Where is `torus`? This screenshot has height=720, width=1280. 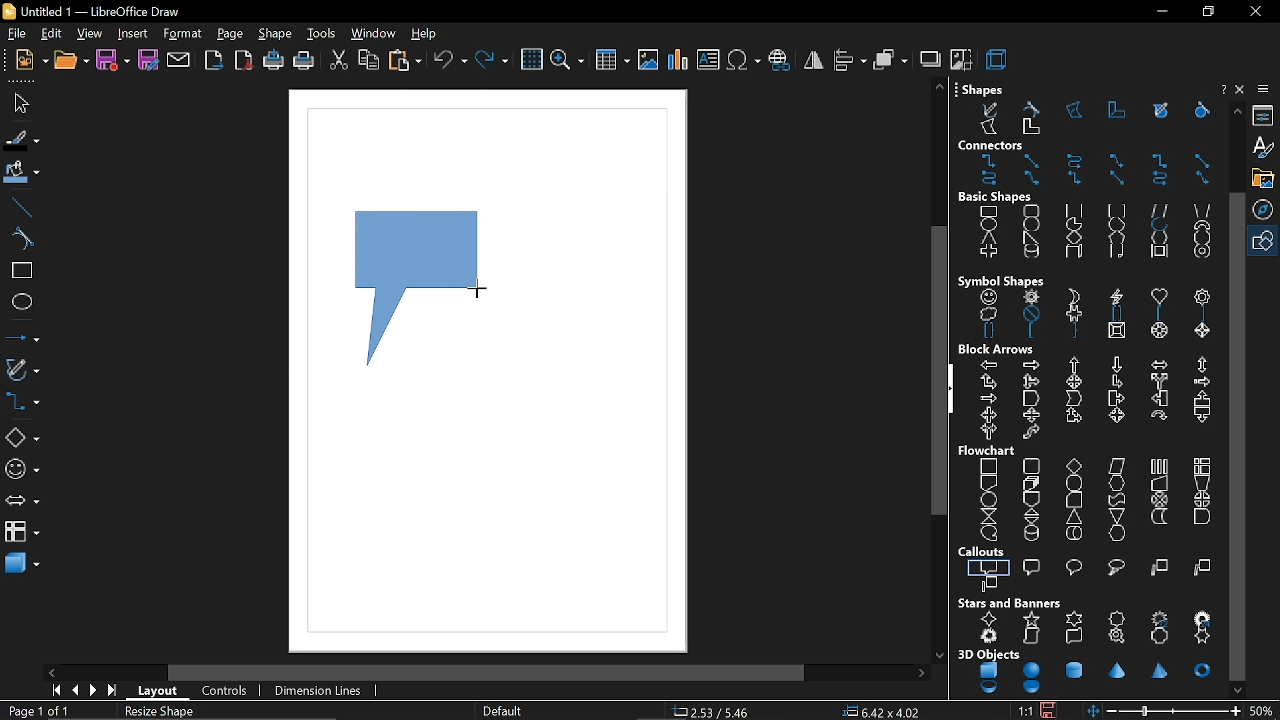
torus is located at coordinates (1203, 670).